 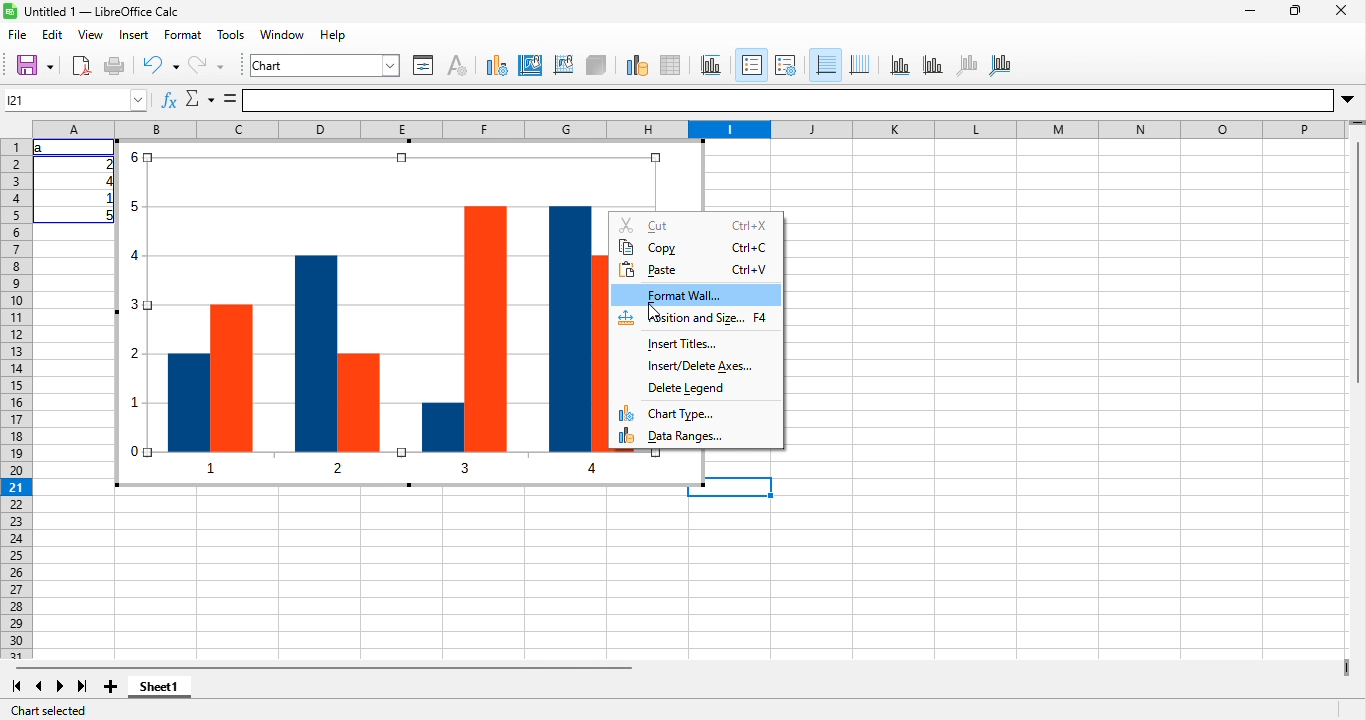 I want to click on file, so click(x=18, y=34).